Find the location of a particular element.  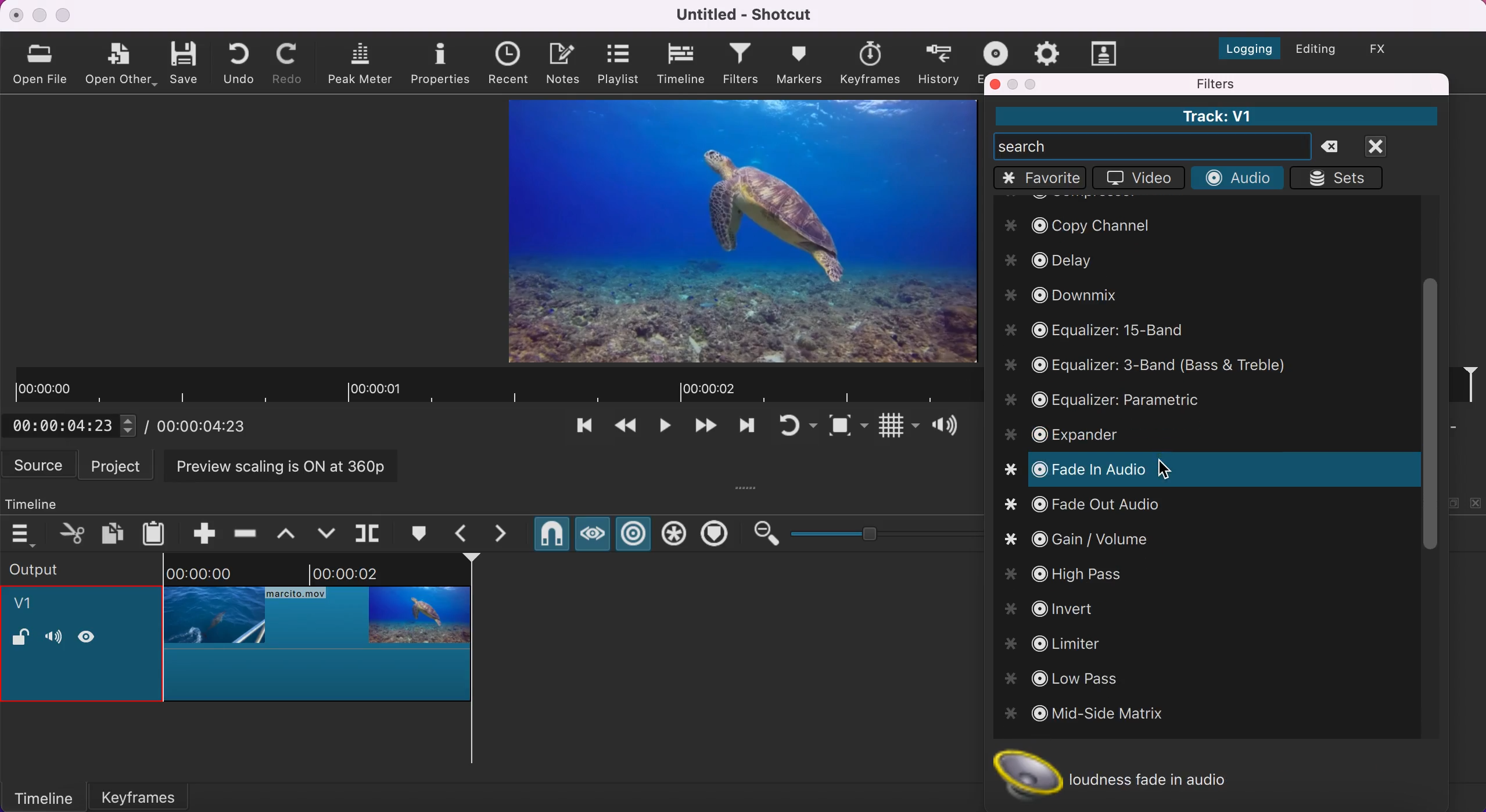

search bar is located at coordinates (1153, 146).